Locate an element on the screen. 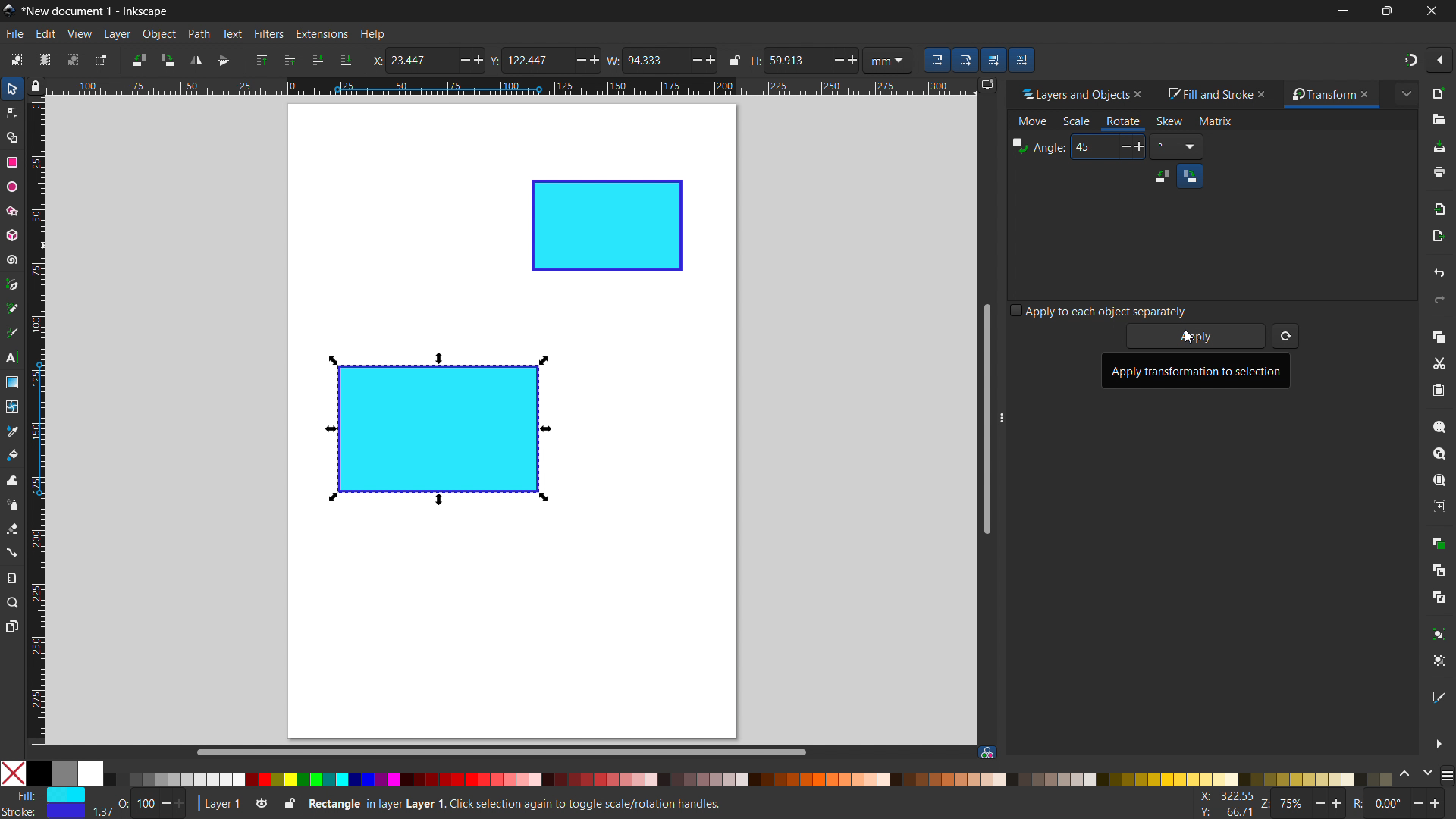 Image resolution: width=1456 pixels, height=819 pixels. zoom drawing is located at coordinates (1439, 453).